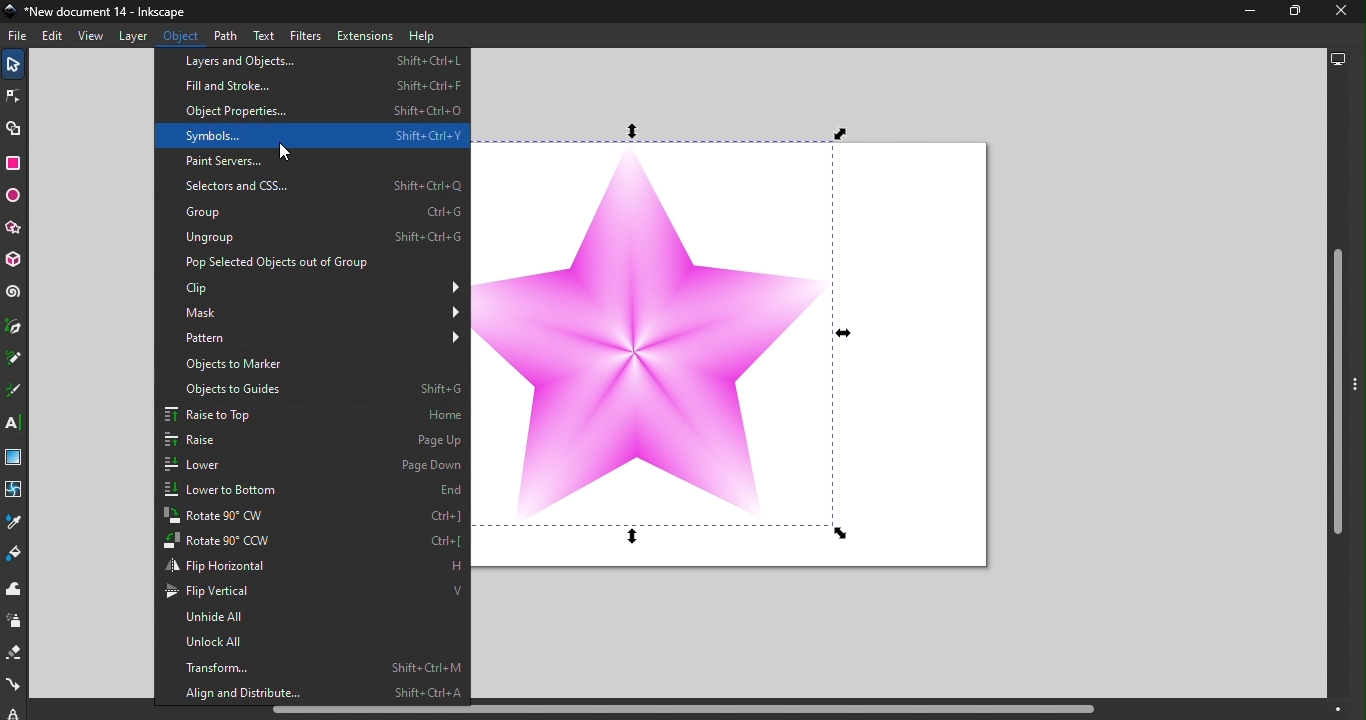 The width and height of the screenshot is (1366, 720). Describe the element at coordinates (313, 237) in the screenshot. I see `Ungroup` at that location.